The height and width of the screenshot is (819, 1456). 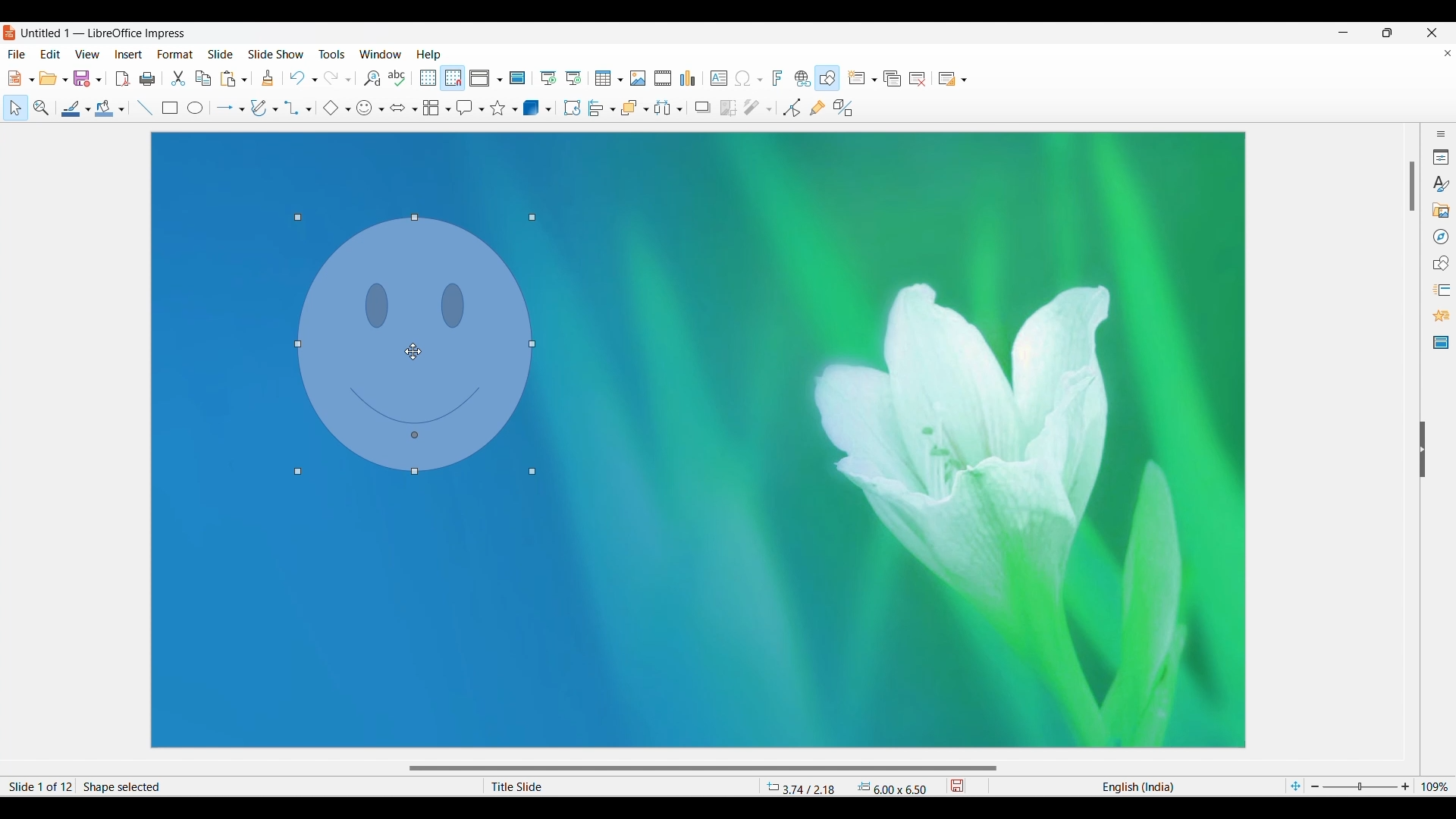 What do you see at coordinates (792, 108) in the screenshot?
I see `Toggle point edit mode` at bounding box center [792, 108].